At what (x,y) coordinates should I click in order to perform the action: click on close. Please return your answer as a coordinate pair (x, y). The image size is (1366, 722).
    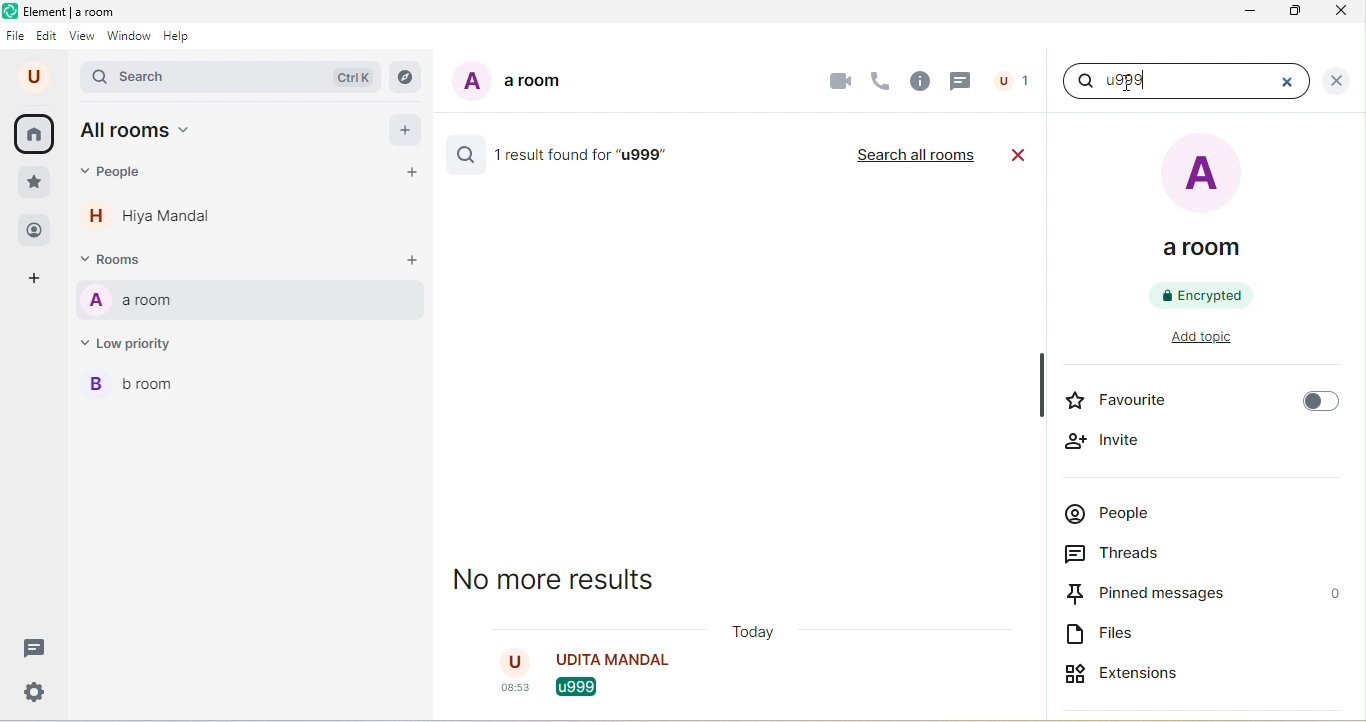
    Looking at the image, I should click on (1020, 154).